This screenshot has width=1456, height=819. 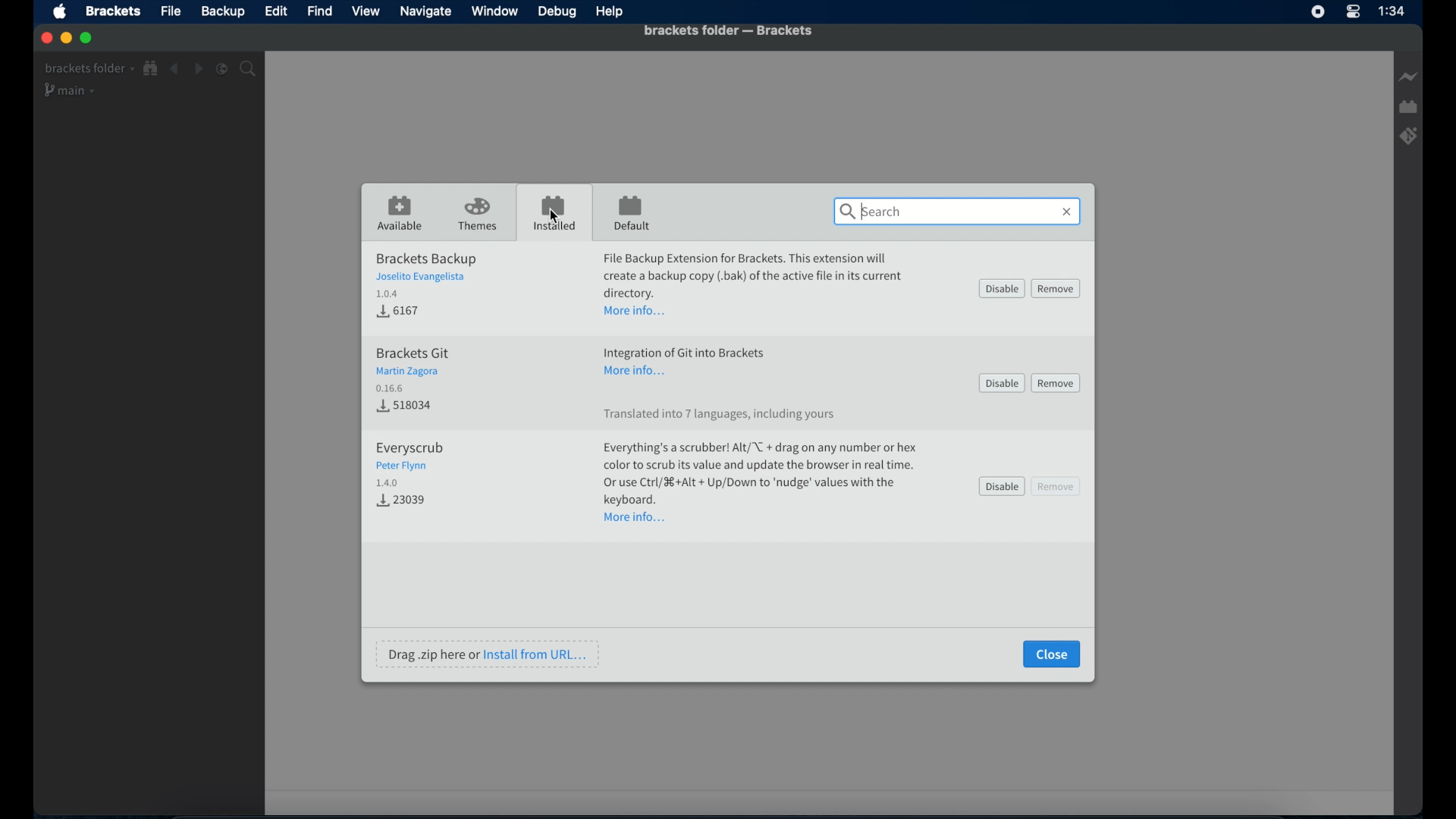 What do you see at coordinates (114, 11) in the screenshot?
I see `Brackets` at bounding box center [114, 11].